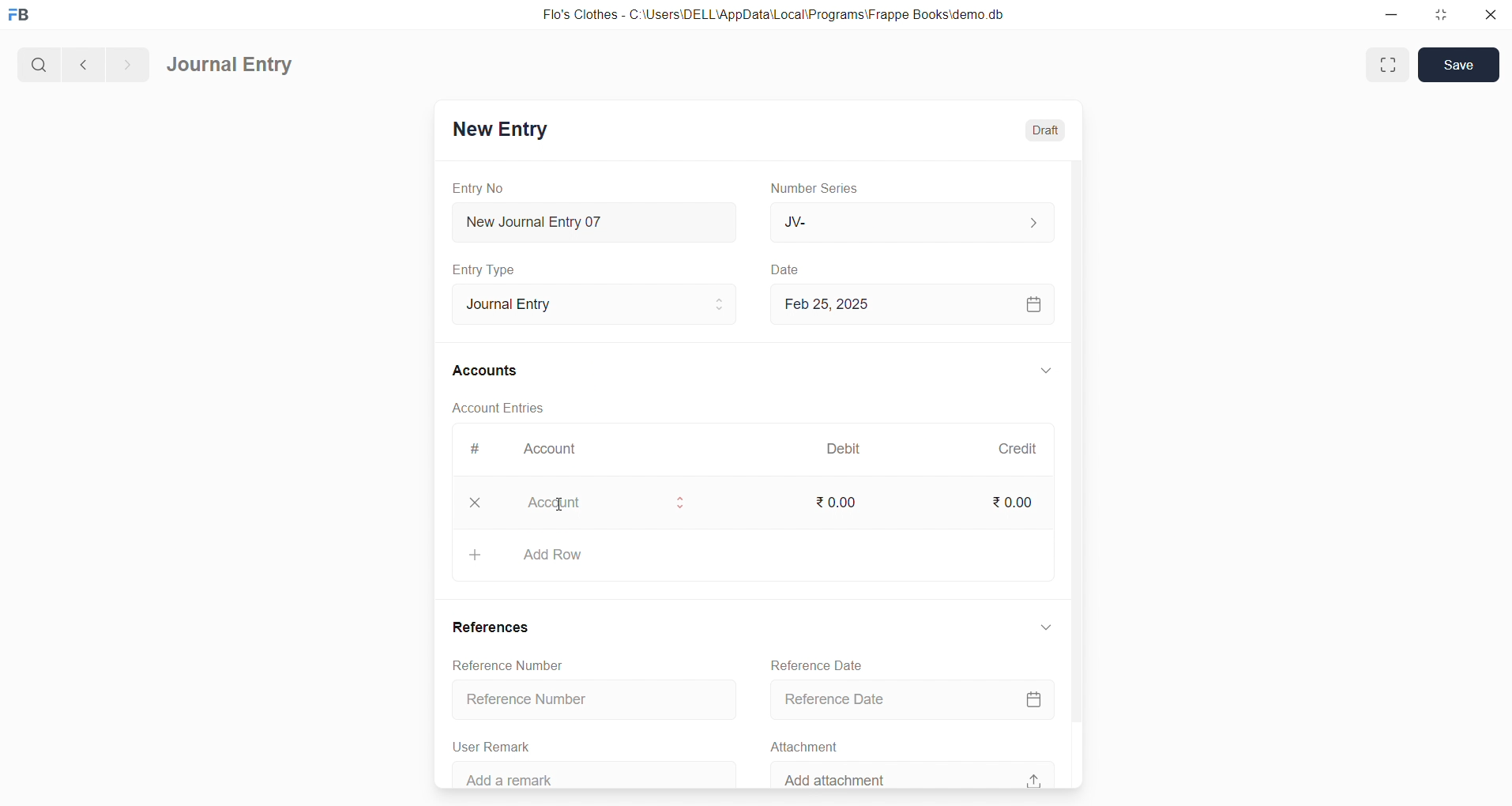 The height and width of the screenshot is (806, 1512). What do you see at coordinates (1011, 502) in the screenshot?
I see `₹ 0.00` at bounding box center [1011, 502].